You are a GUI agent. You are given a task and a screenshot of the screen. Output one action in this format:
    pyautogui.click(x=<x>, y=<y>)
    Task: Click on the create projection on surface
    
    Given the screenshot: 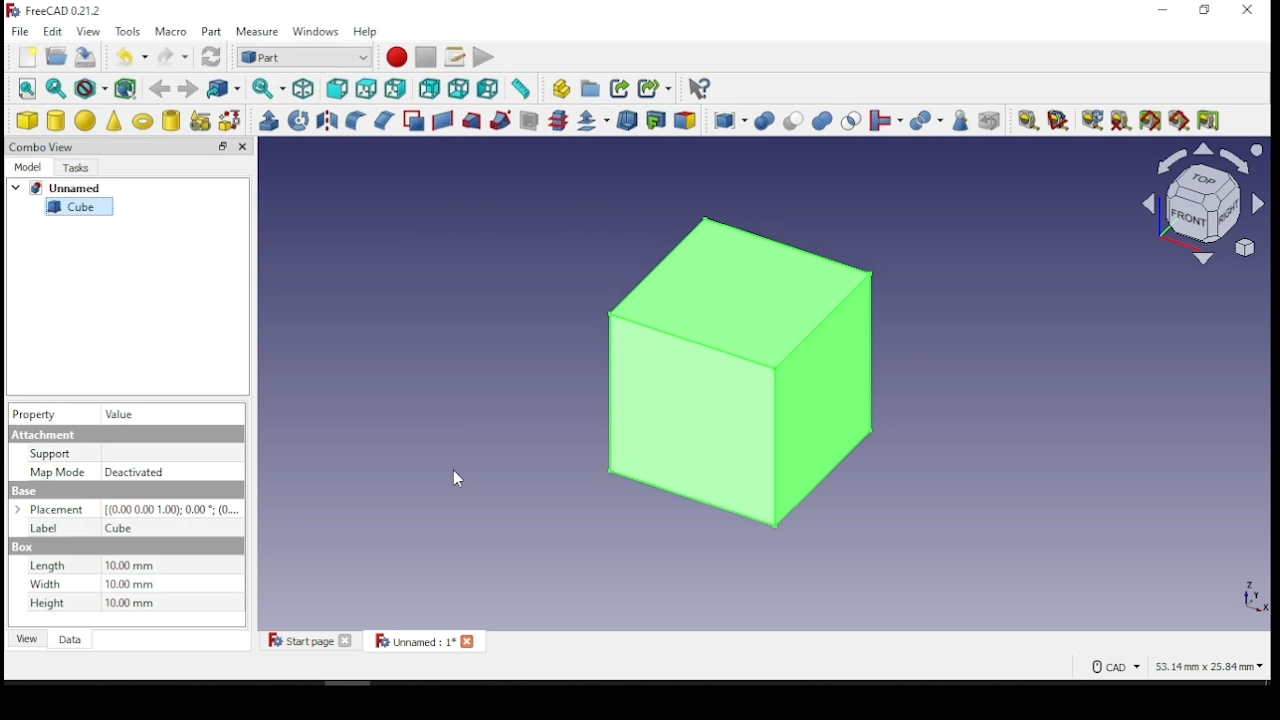 What is the action you would take?
    pyautogui.click(x=658, y=119)
    